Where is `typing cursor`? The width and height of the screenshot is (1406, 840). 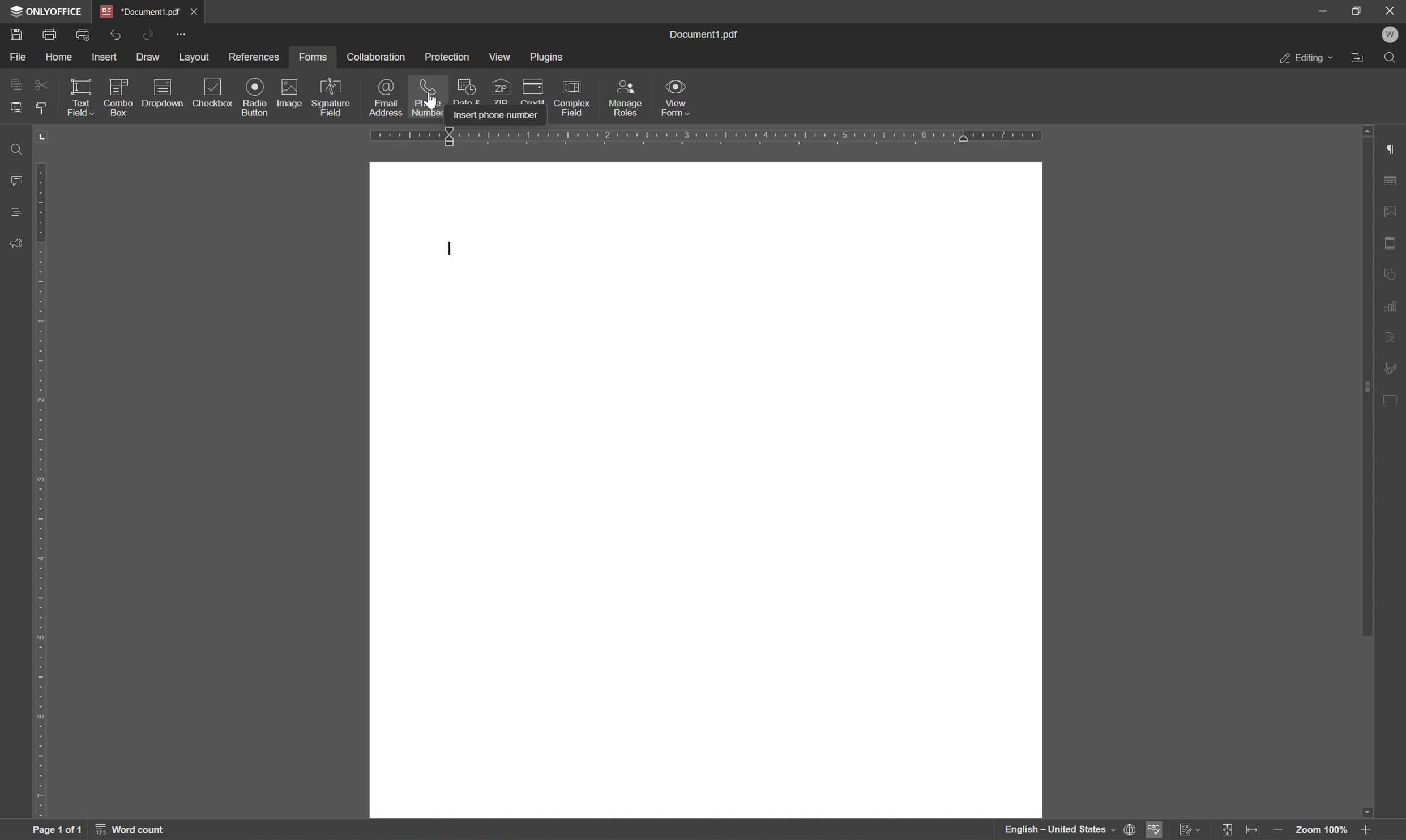 typing cursor is located at coordinates (451, 249).